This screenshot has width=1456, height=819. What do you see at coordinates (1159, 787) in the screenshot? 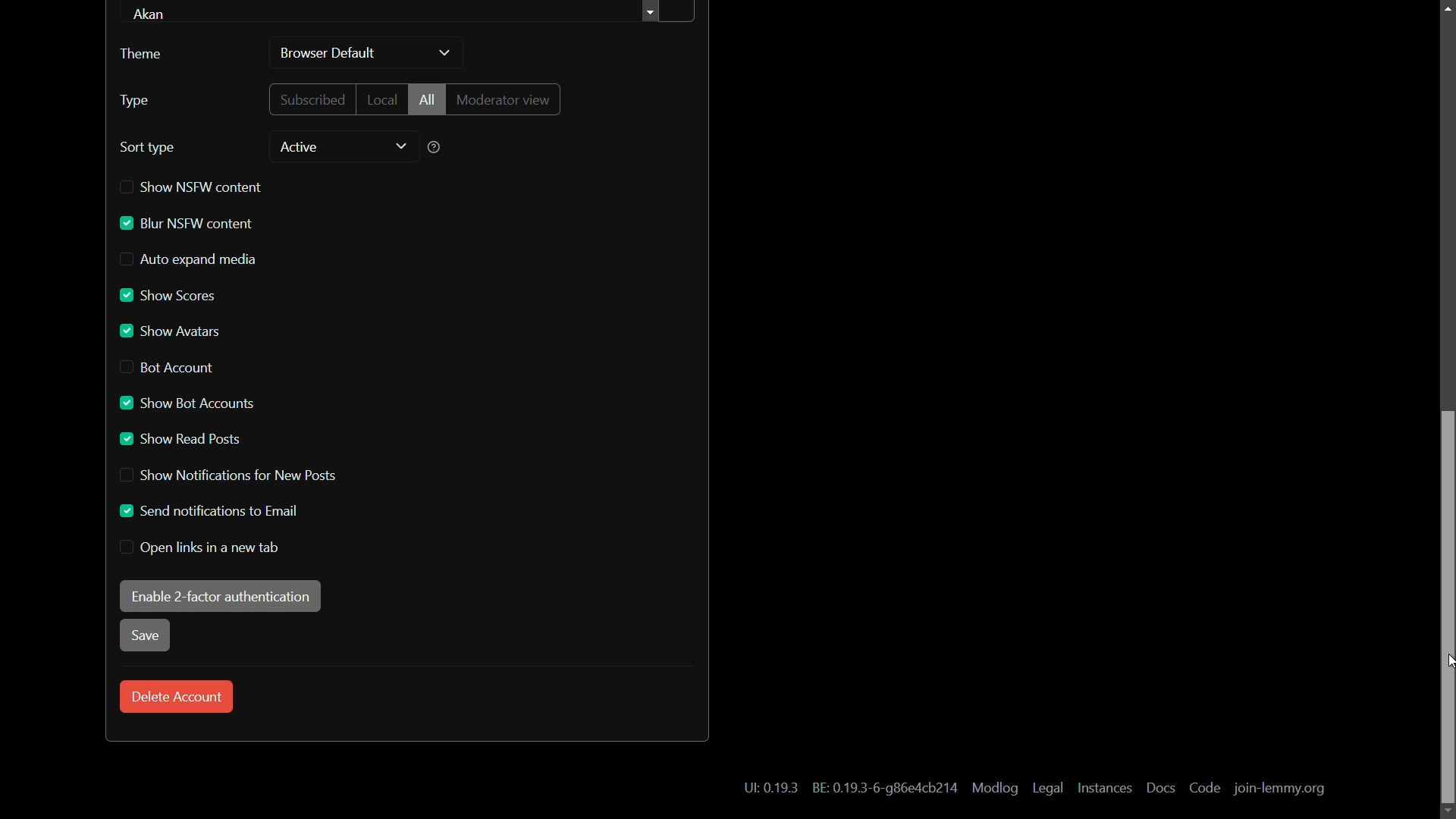
I see `docs` at bounding box center [1159, 787].